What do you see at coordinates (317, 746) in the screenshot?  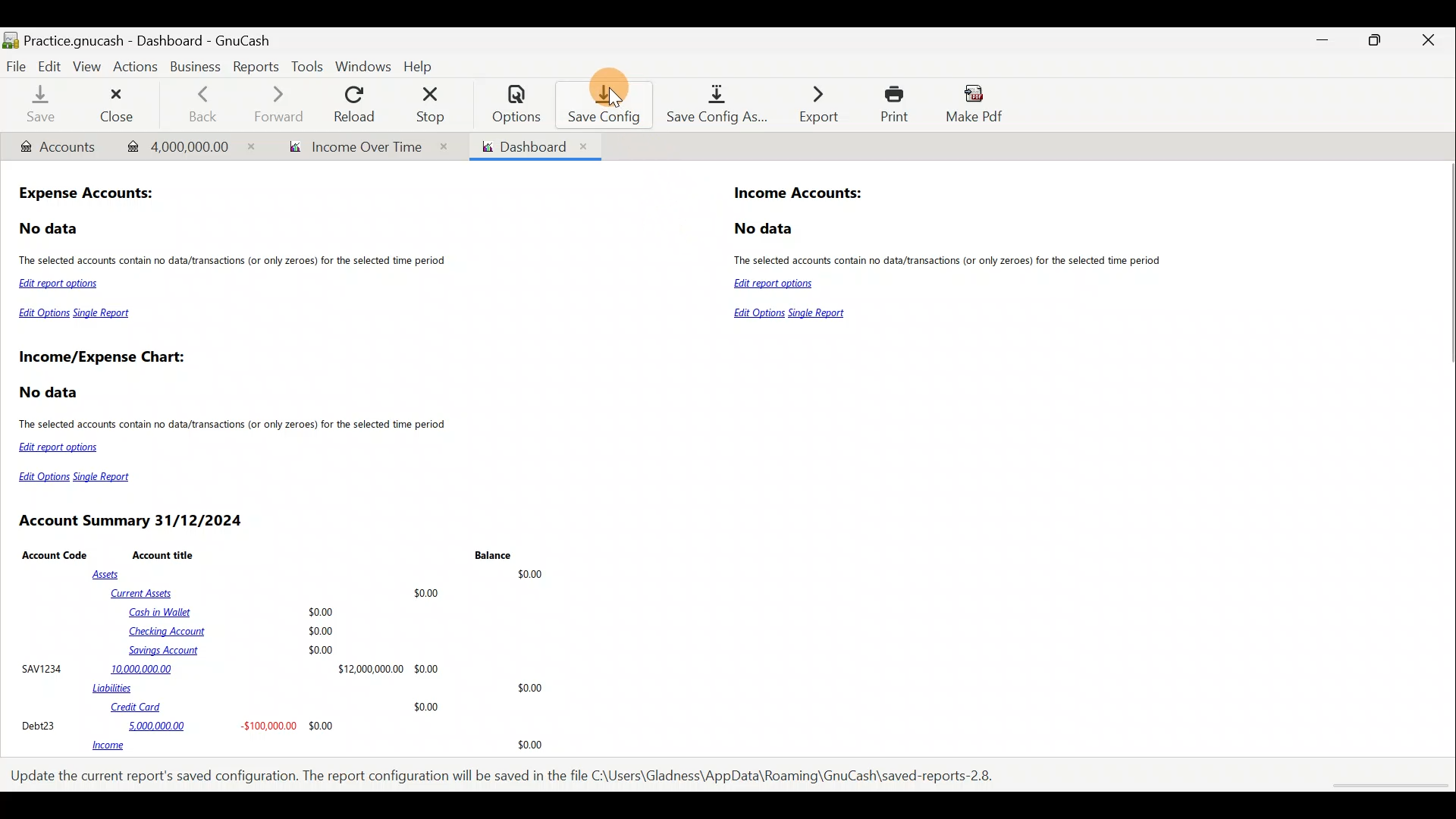 I see `income 30.00` at bounding box center [317, 746].